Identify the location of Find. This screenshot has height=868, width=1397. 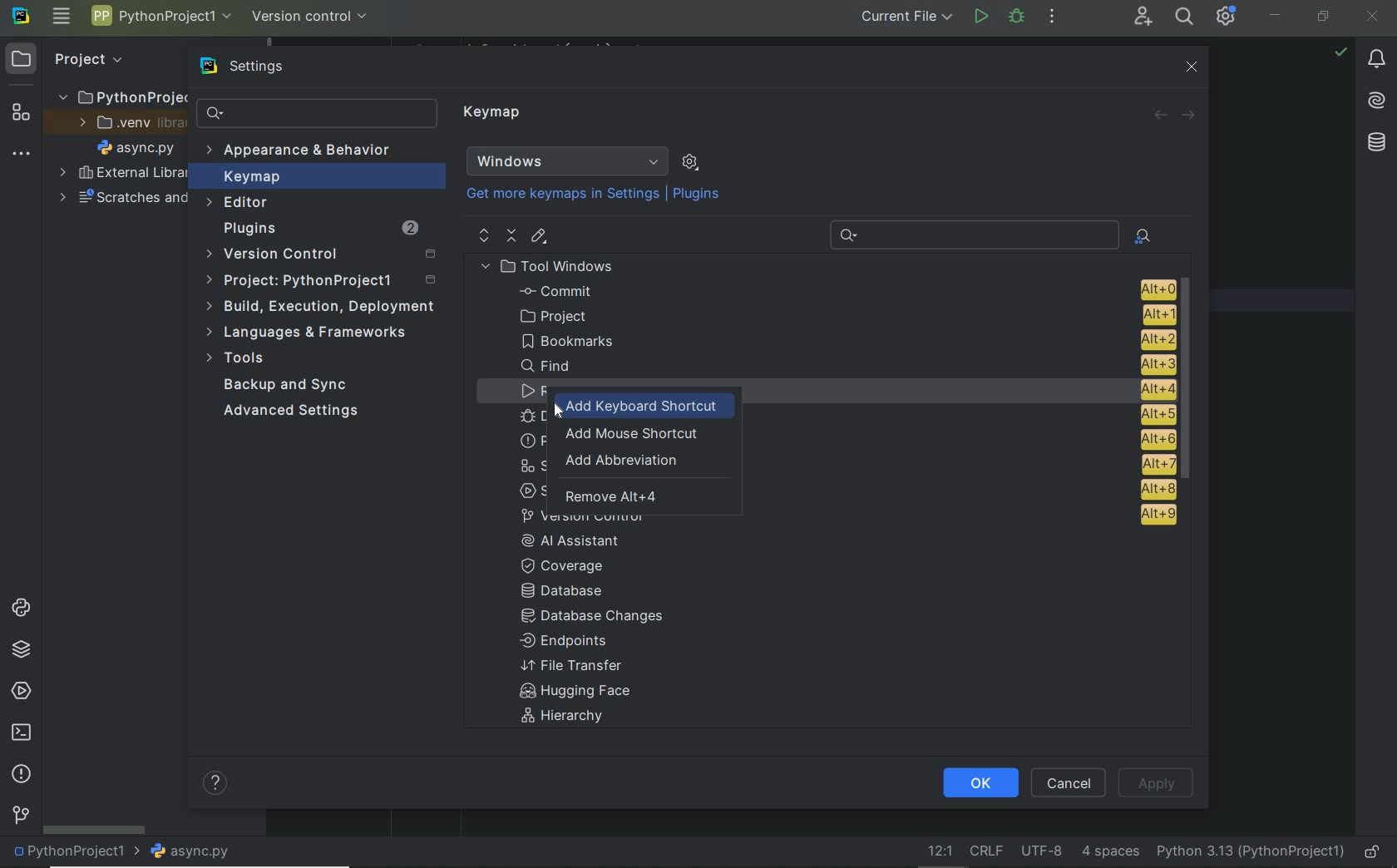
(847, 366).